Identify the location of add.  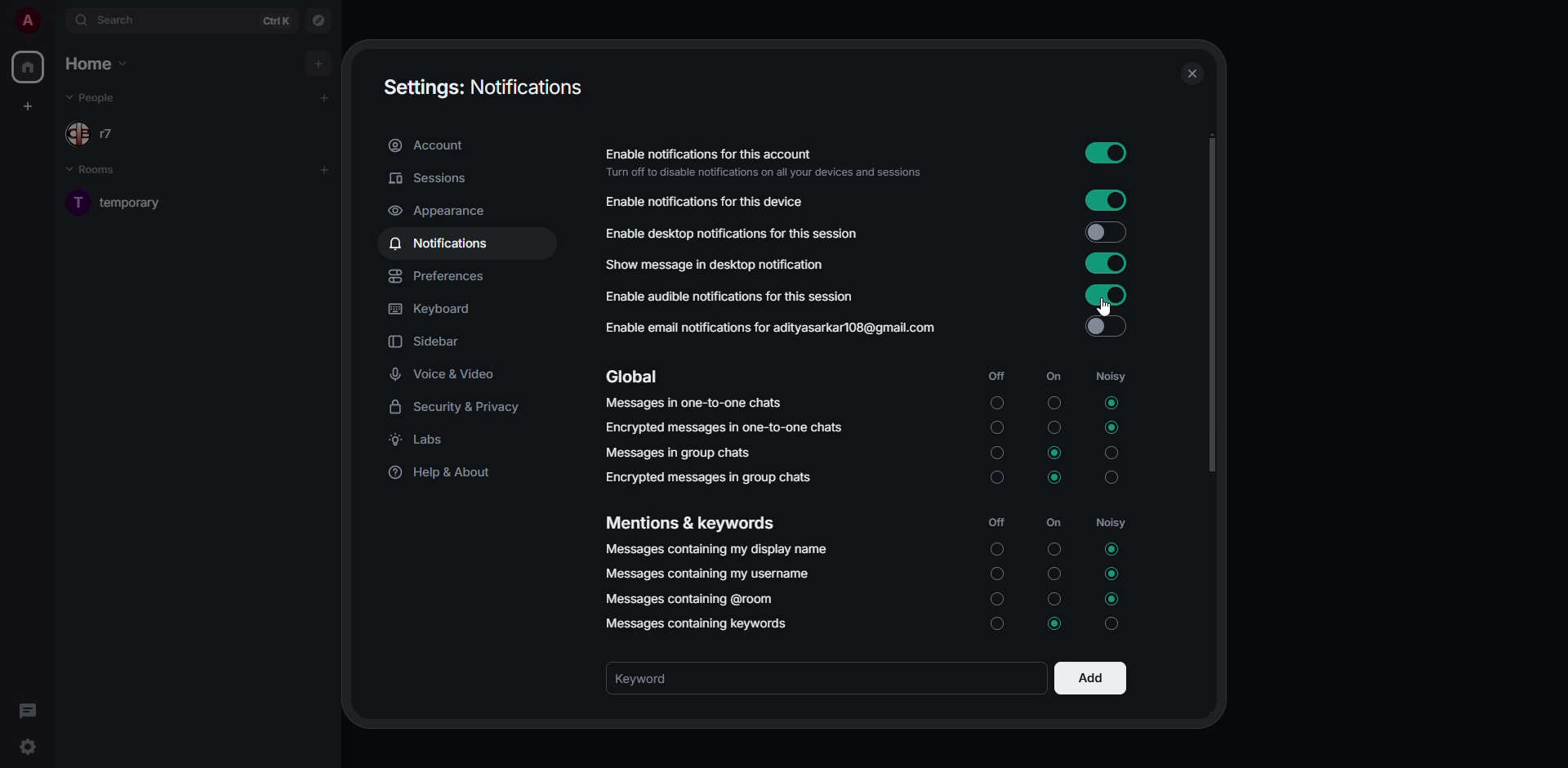
(324, 97).